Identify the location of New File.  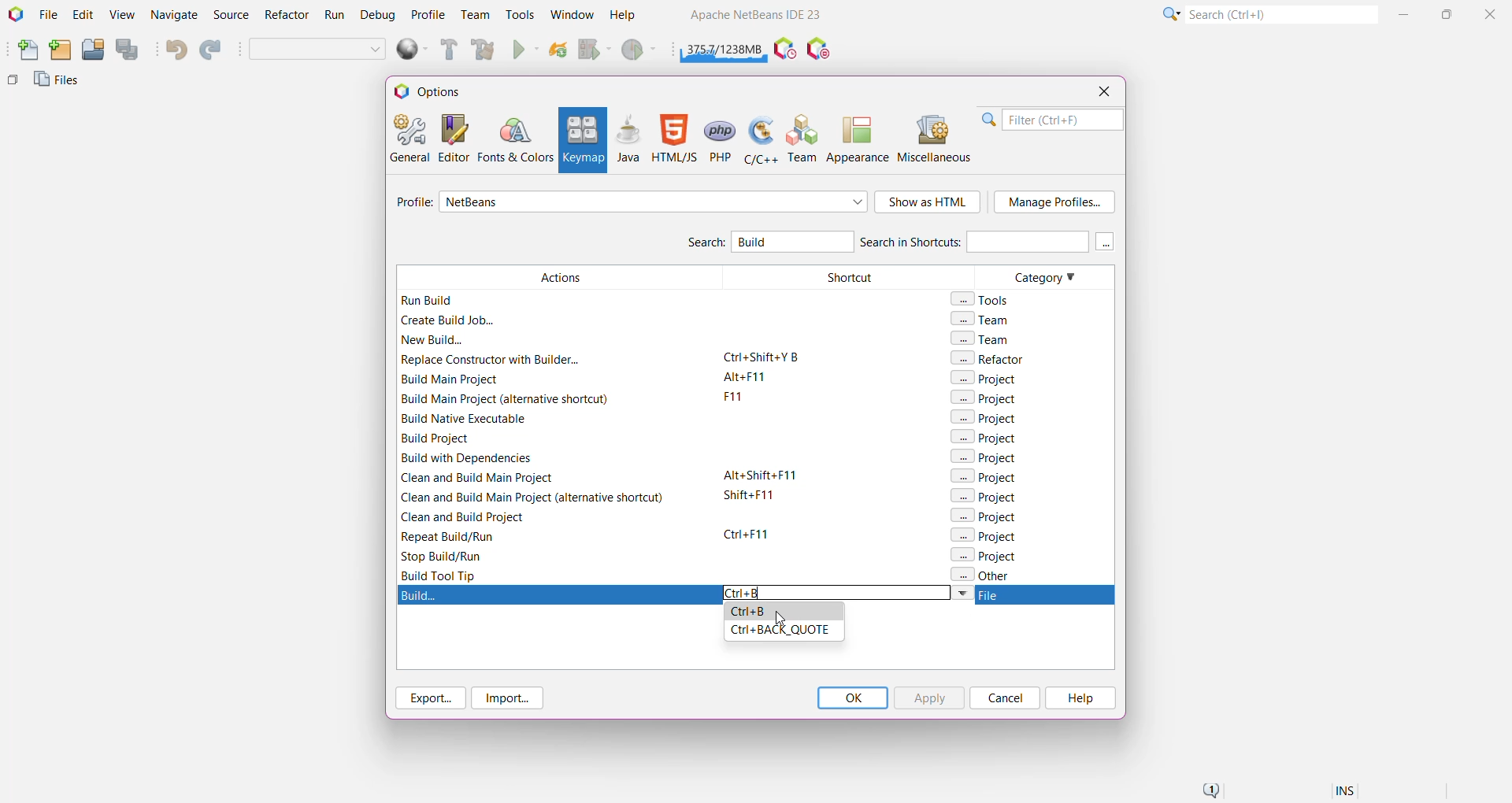
(24, 51).